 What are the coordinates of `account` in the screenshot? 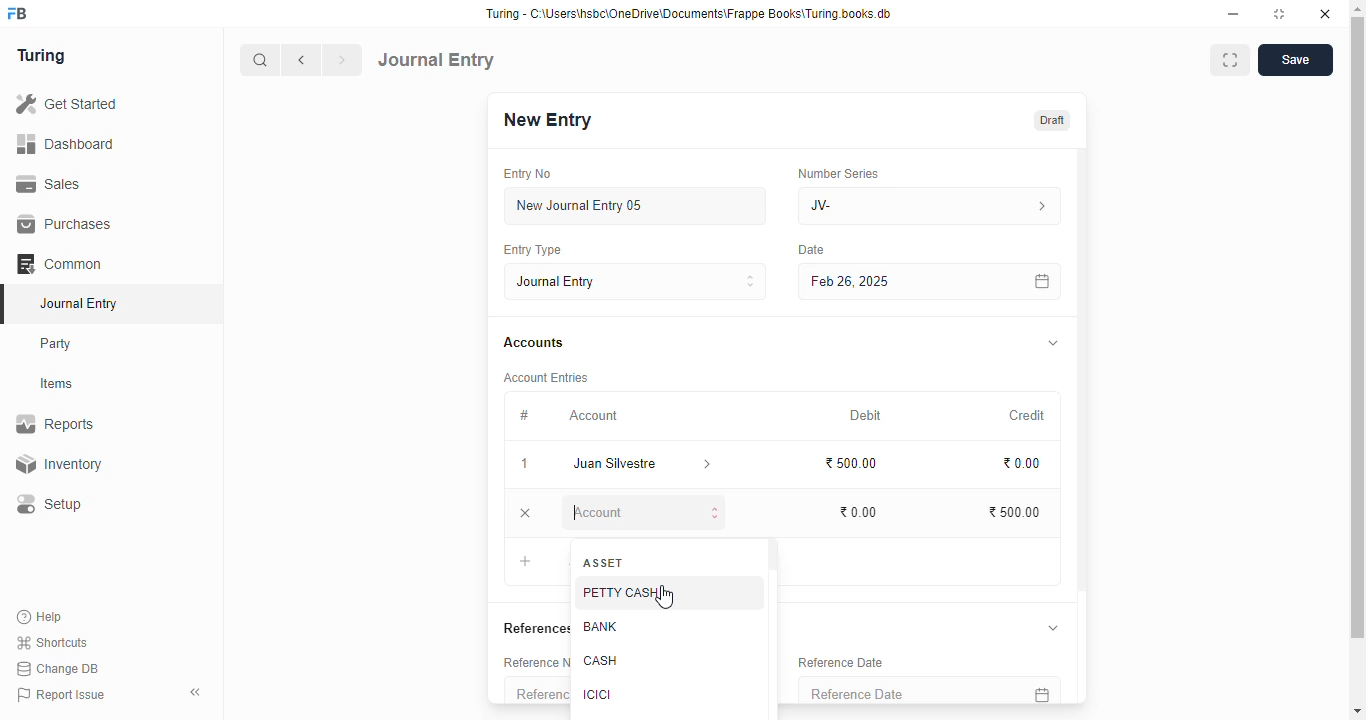 It's located at (594, 415).